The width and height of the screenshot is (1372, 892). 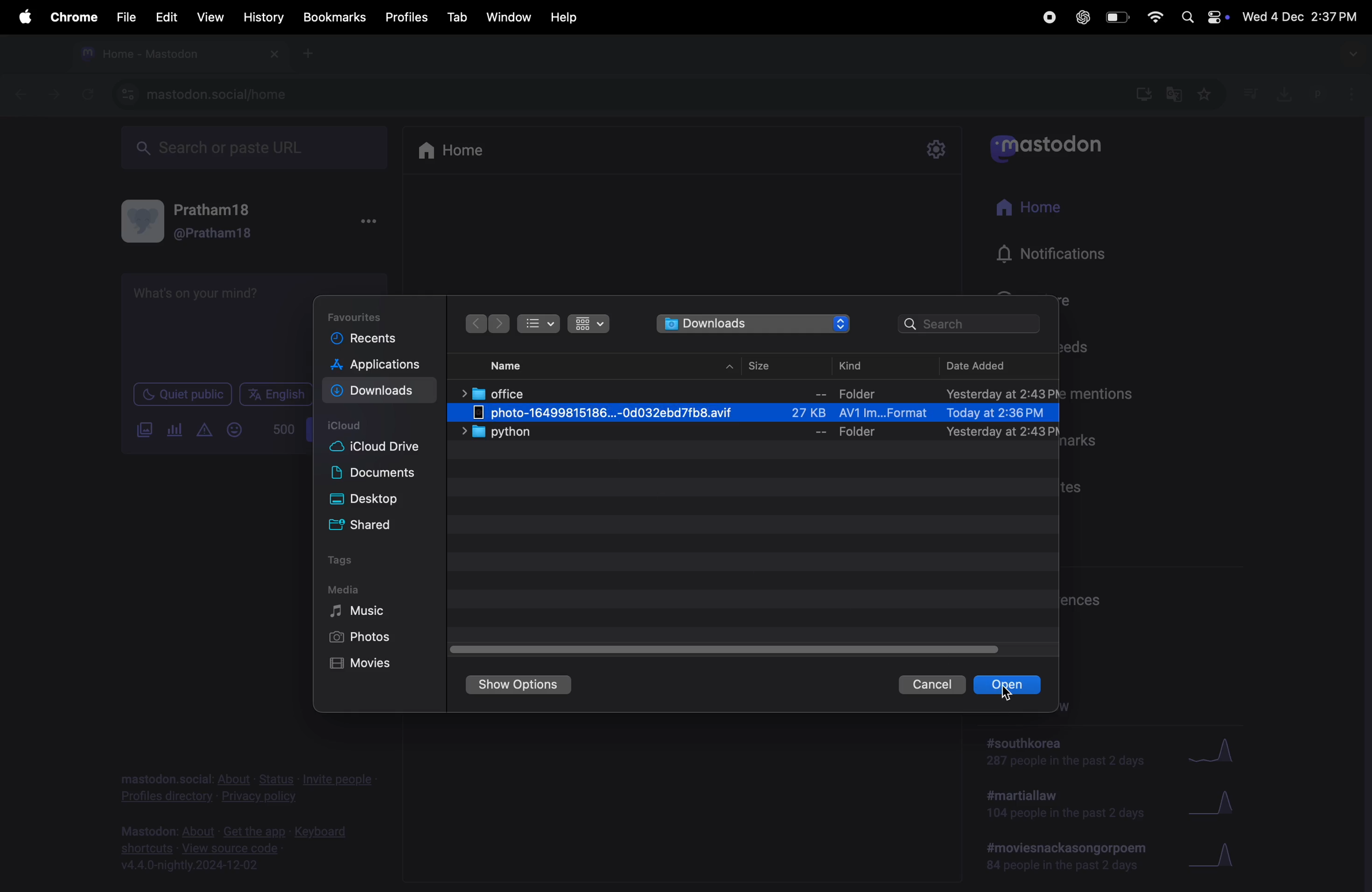 I want to click on shared, so click(x=372, y=523).